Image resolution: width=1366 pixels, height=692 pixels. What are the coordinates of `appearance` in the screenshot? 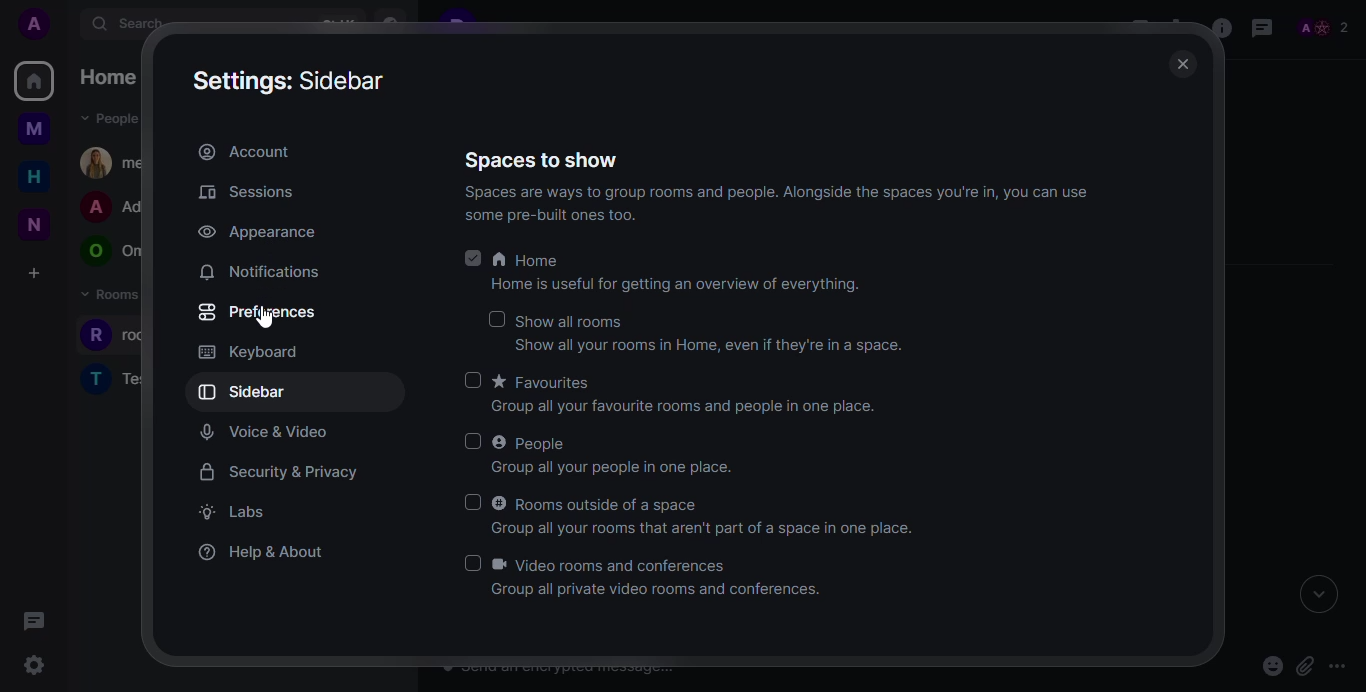 It's located at (255, 233).